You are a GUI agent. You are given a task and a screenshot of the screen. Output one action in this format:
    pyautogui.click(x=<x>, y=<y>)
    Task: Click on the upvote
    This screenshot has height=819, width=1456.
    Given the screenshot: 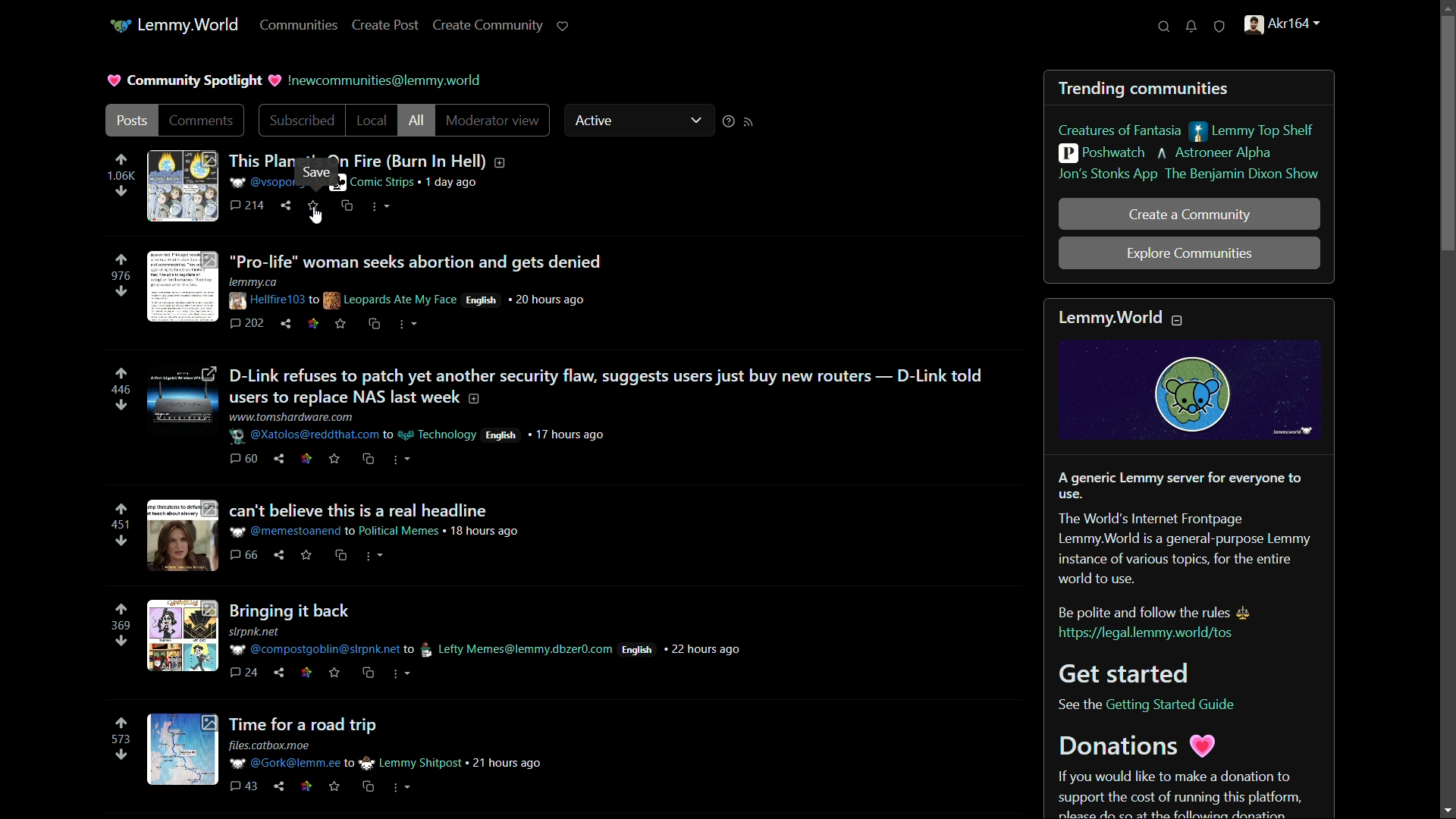 What is the action you would take?
    pyautogui.click(x=121, y=259)
    